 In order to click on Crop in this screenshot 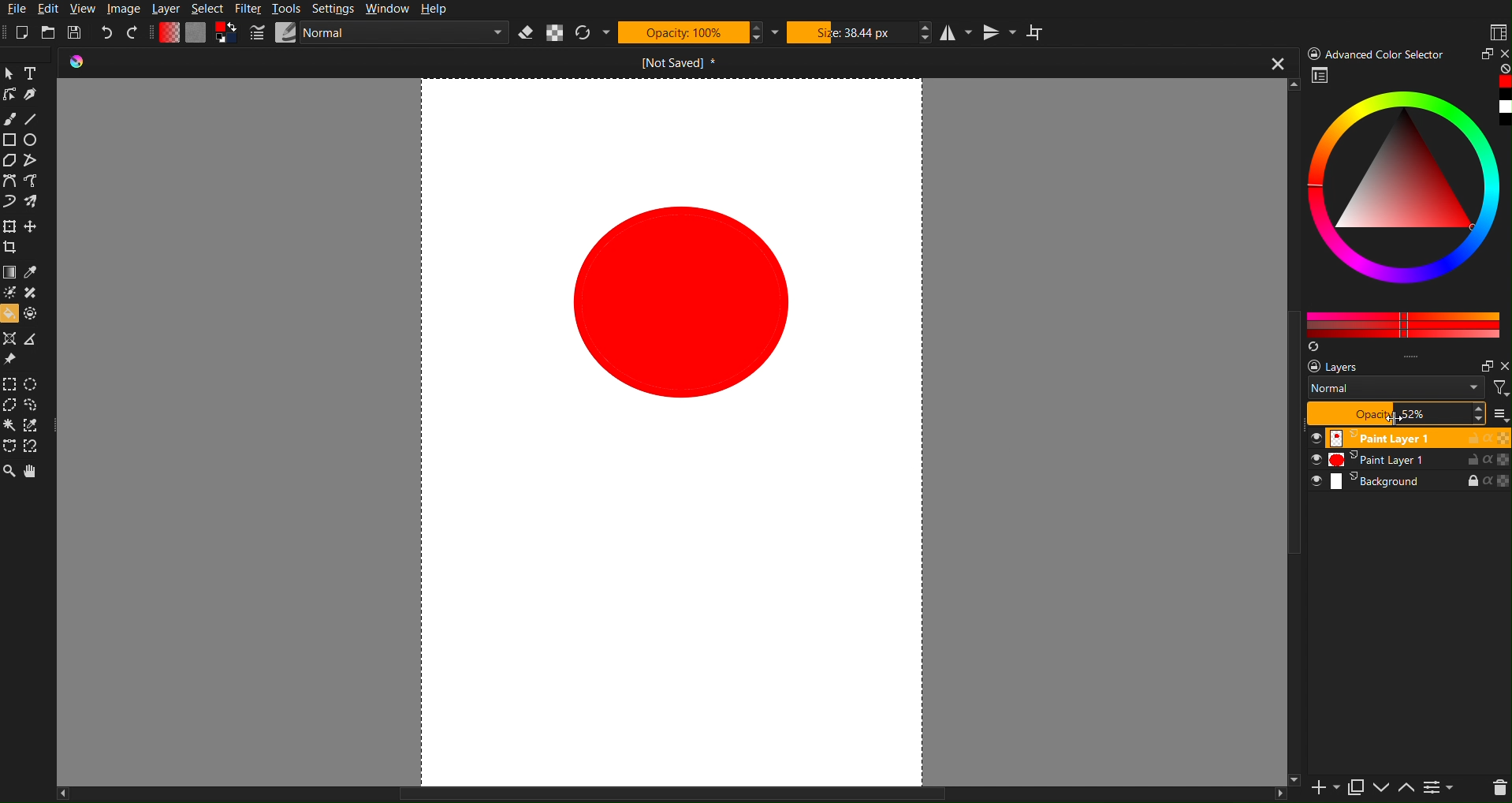, I will do `click(10, 248)`.